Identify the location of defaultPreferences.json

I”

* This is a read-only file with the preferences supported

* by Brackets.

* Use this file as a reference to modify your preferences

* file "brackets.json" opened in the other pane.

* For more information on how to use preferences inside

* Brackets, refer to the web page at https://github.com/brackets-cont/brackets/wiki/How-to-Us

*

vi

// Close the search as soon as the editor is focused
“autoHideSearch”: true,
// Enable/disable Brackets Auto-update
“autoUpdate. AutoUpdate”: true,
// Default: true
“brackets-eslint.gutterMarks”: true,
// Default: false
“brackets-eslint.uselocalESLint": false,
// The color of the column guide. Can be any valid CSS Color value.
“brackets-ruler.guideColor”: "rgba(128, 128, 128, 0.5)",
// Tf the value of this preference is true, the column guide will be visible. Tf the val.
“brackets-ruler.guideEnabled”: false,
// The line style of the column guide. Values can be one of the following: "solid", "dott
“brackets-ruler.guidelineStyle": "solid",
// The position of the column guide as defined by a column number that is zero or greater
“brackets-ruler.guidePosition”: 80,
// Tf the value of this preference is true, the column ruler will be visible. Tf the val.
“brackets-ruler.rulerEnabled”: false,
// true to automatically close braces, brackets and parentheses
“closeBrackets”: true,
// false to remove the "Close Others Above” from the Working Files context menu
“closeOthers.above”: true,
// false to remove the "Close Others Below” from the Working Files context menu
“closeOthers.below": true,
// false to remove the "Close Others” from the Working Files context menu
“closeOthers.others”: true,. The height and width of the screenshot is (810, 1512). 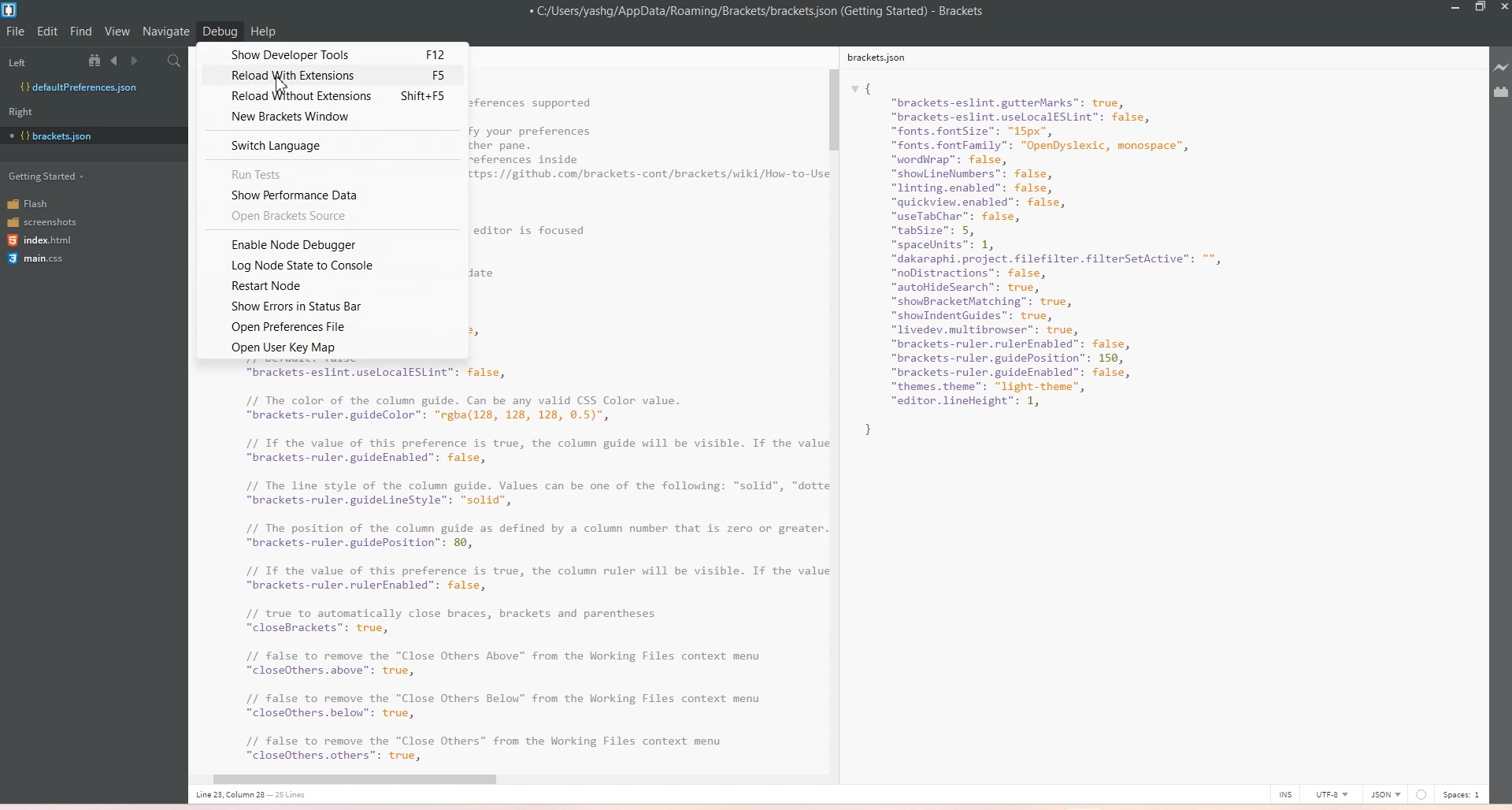
(505, 569).